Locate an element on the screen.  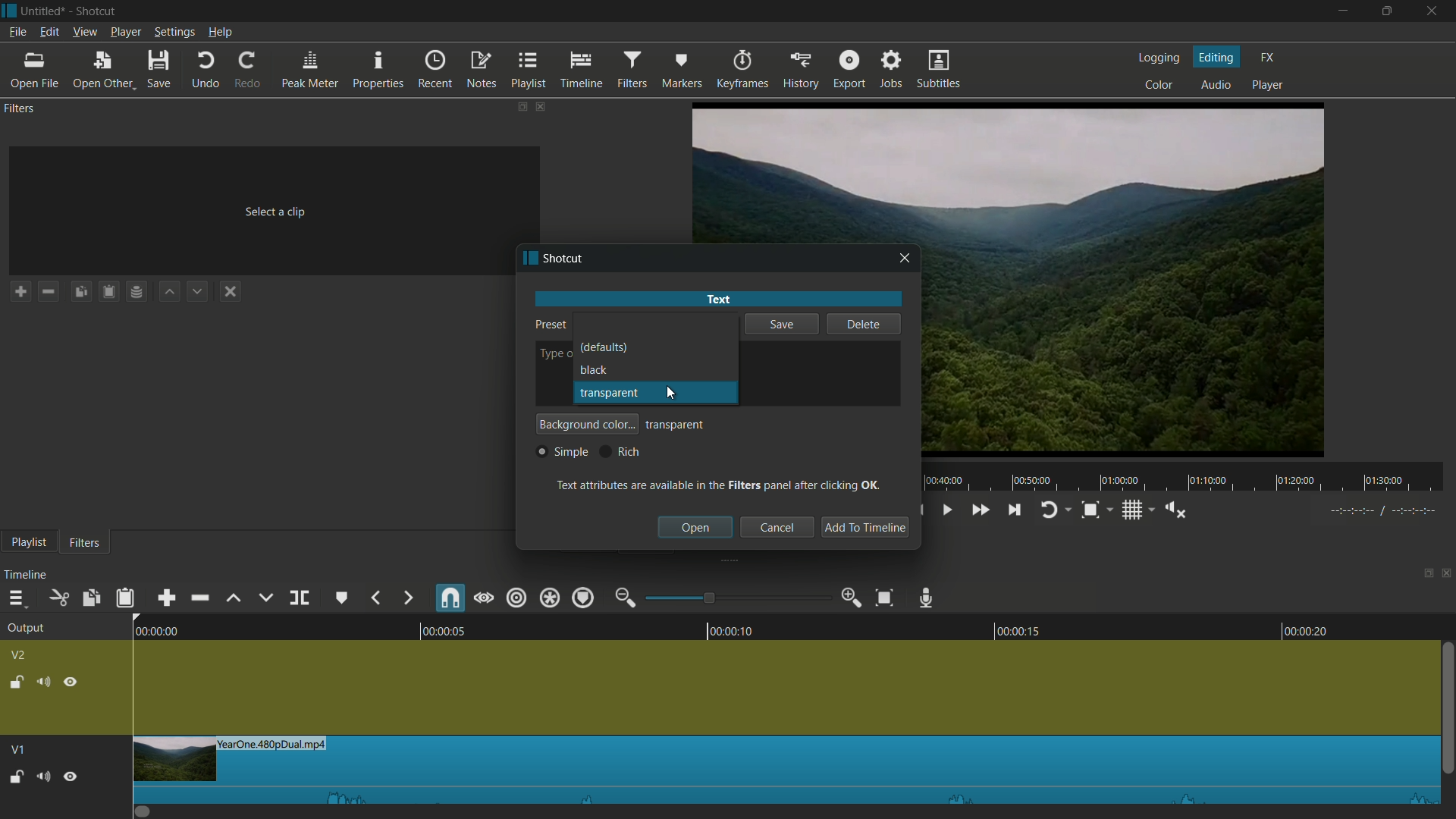
close window is located at coordinates (905, 259).